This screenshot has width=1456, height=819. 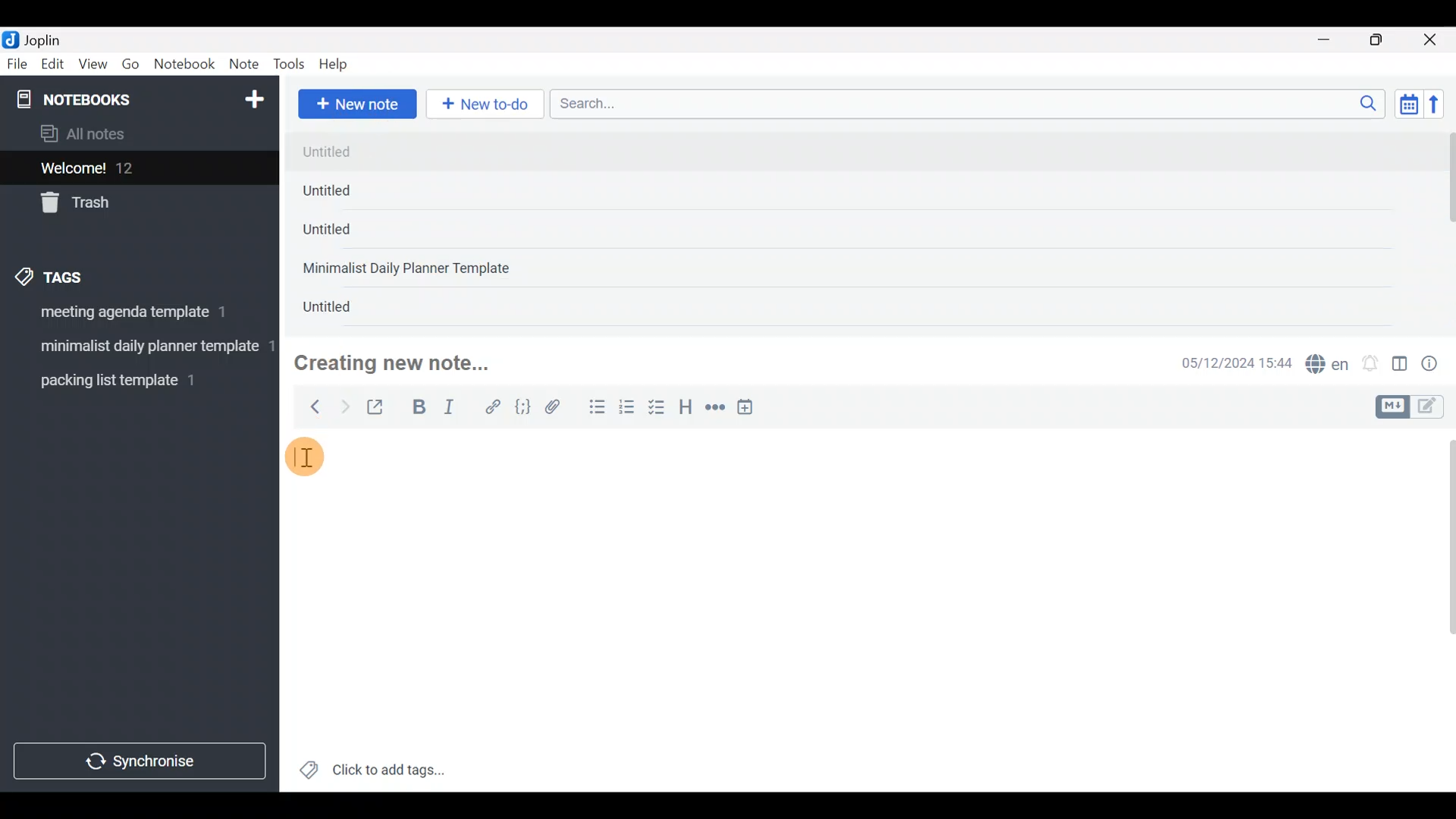 What do you see at coordinates (309, 406) in the screenshot?
I see `Back` at bounding box center [309, 406].